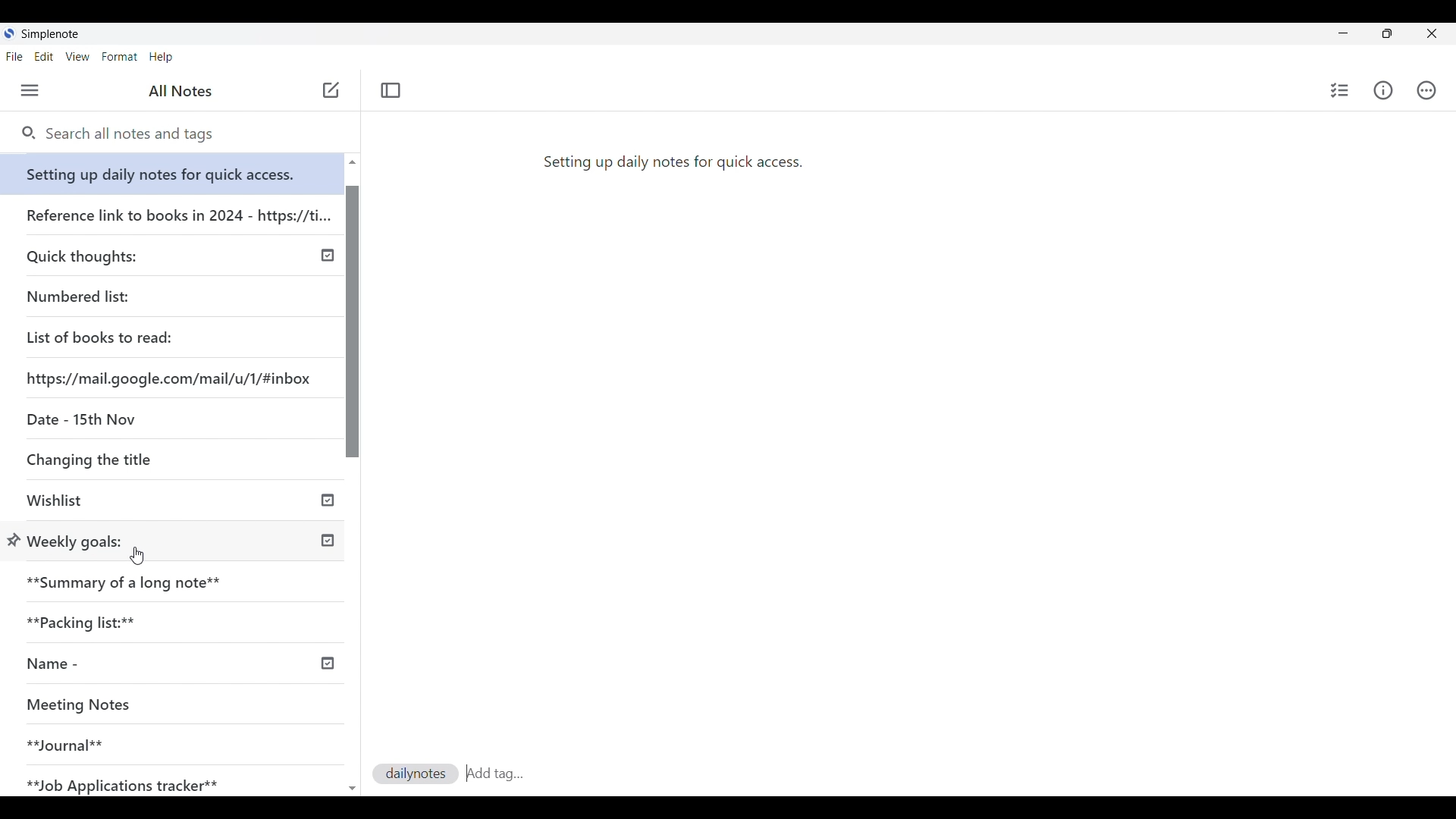 This screenshot has width=1456, height=819. Describe the element at coordinates (1433, 34) in the screenshot. I see `Close` at that location.